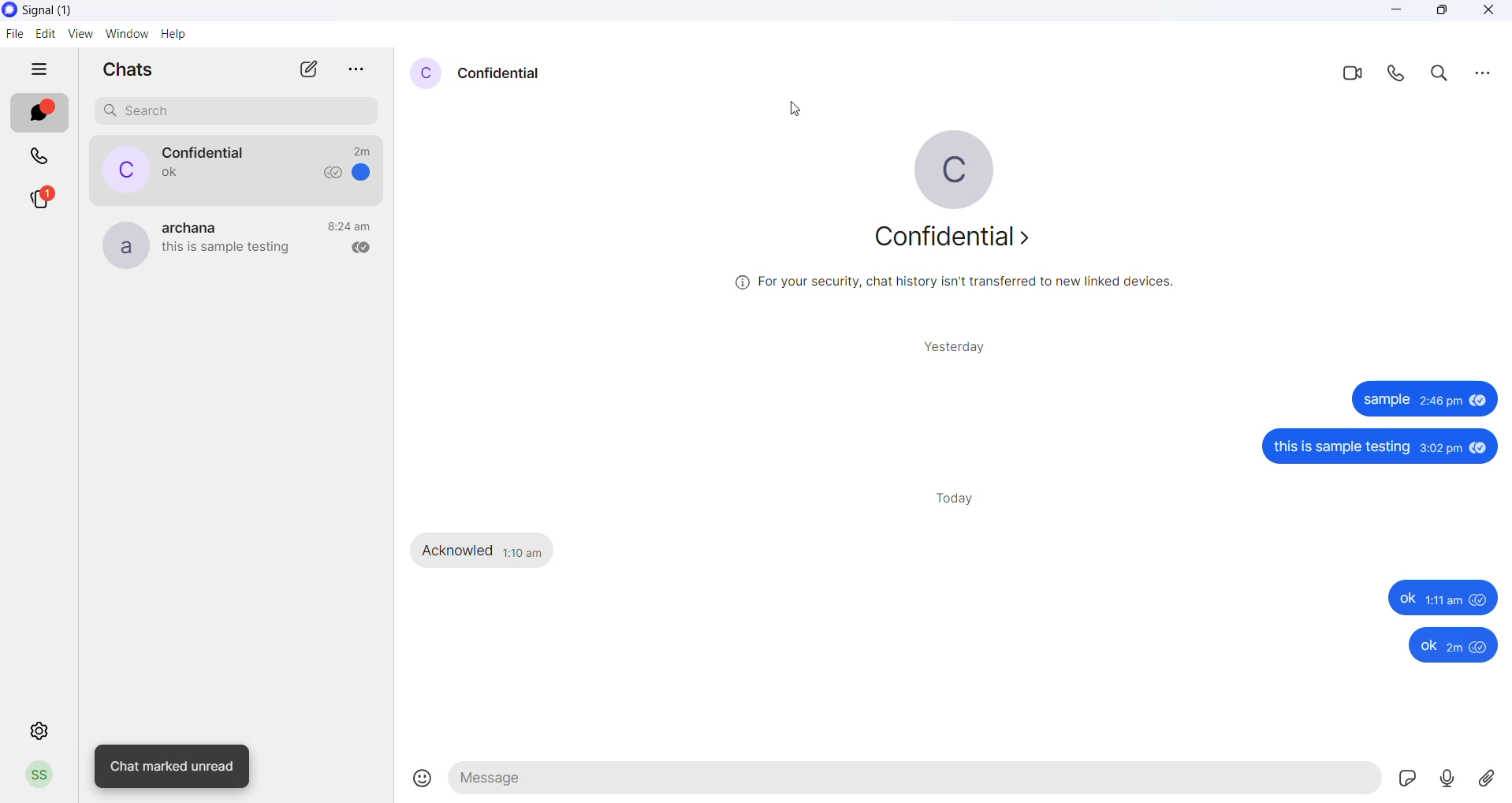  Describe the element at coordinates (196, 226) in the screenshot. I see `contact name` at that location.